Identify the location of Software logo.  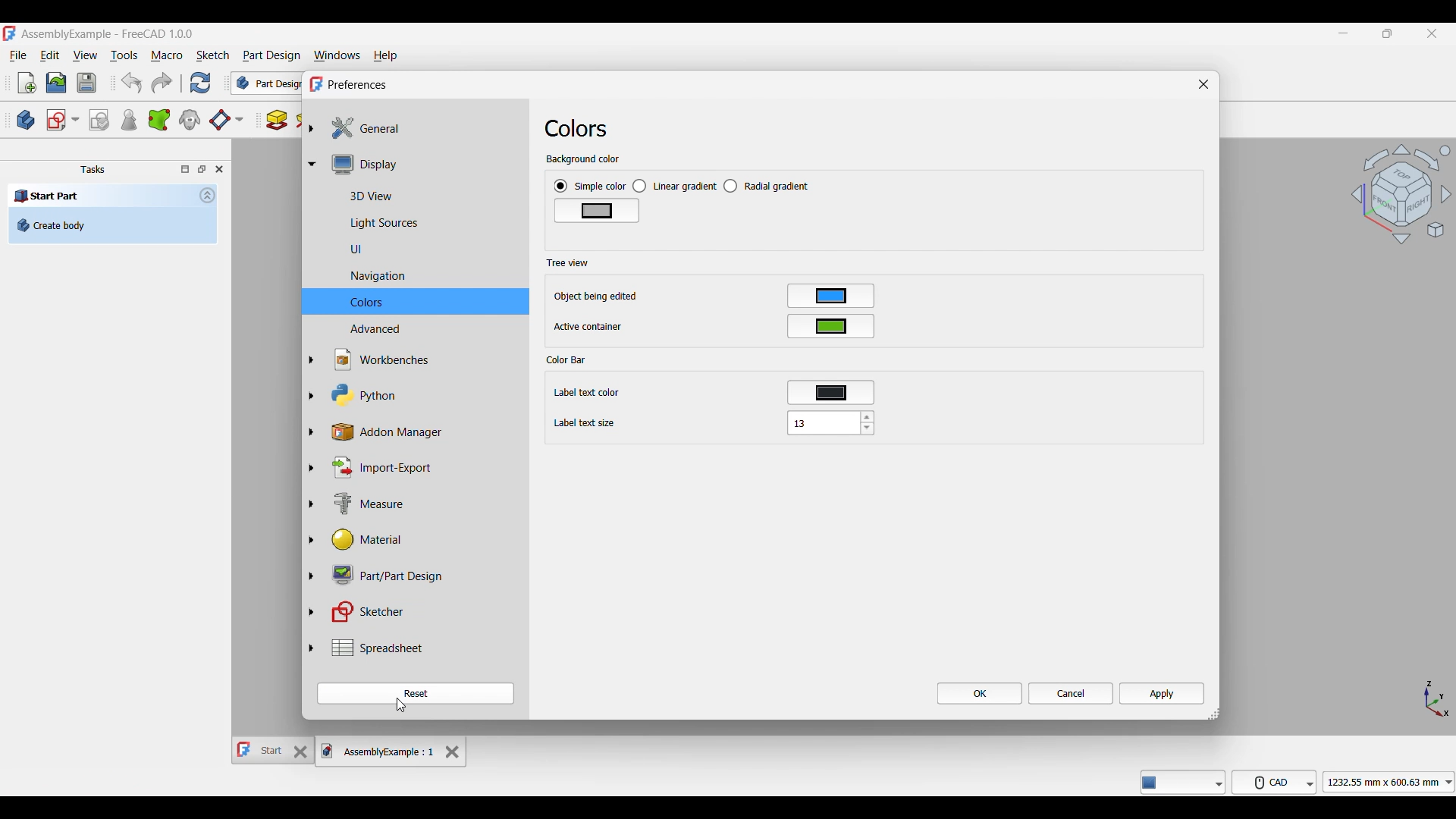
(9, 33).